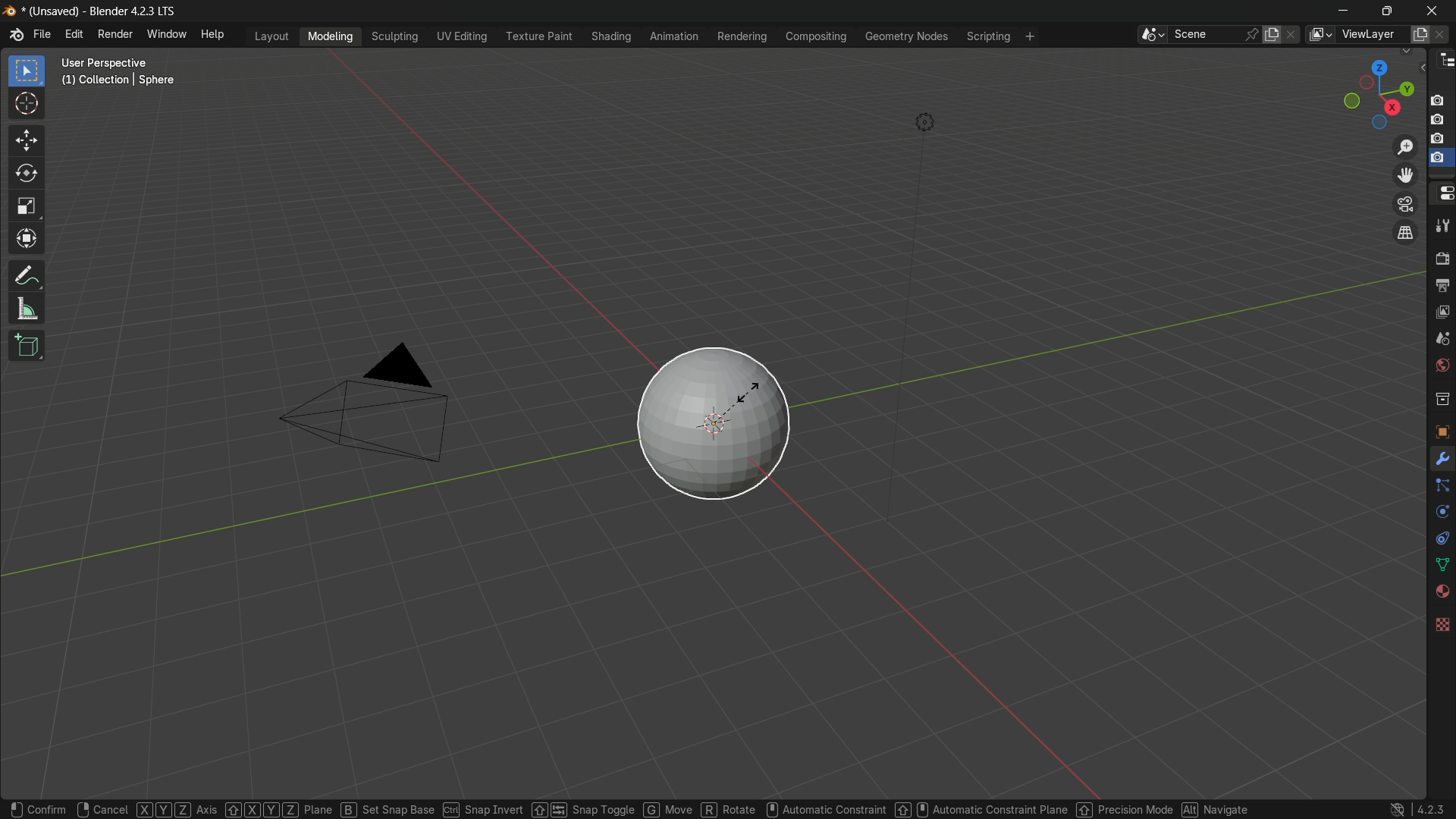 Image resolution: width=1456 pixels, height=819 pixels. Describe the element at coordinates (43, 36) in the screenshot. I see `file menu` at that location.